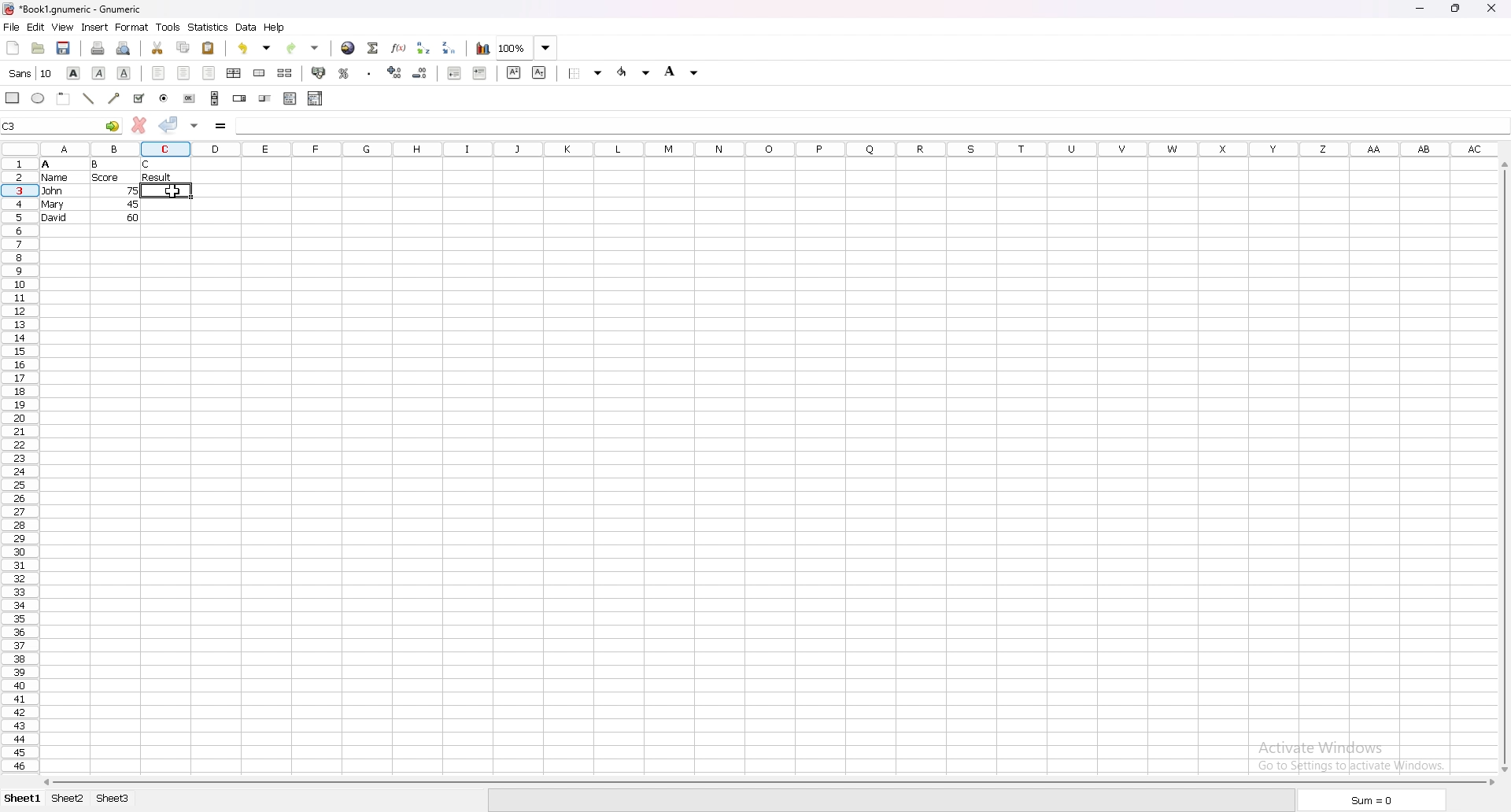 The width and height of the screenshot is (1511, 812). I want to click on data, so click(246, 27).